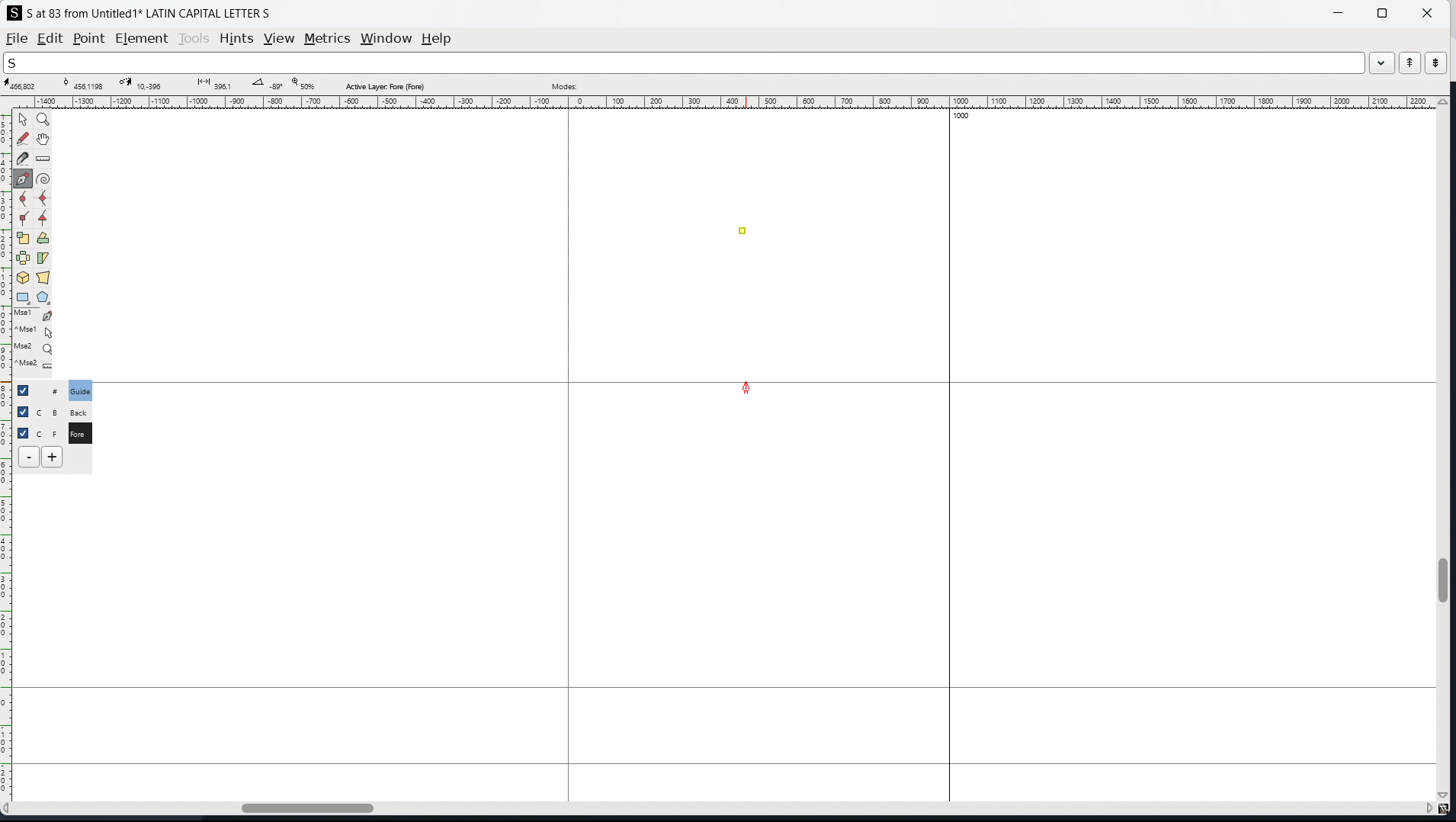 The width and height of the screenshot is (1456, 822). What do you see at coordinates (14, 13) in the screenshot?
I see `logo` at bounding box center [14, 13].